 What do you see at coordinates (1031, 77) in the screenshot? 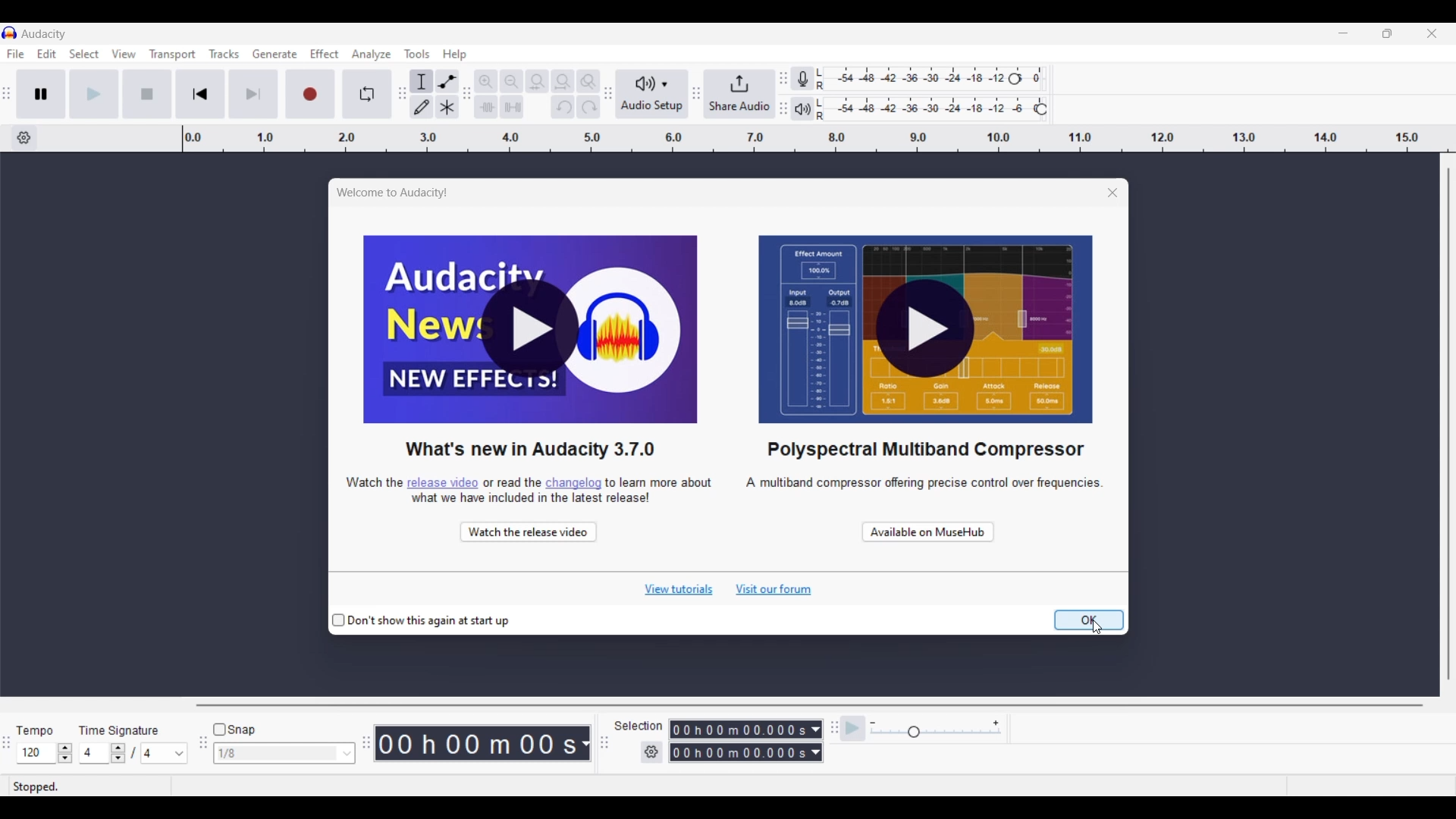
I see `Header to change recording level` at bounding box center [1031, 77].